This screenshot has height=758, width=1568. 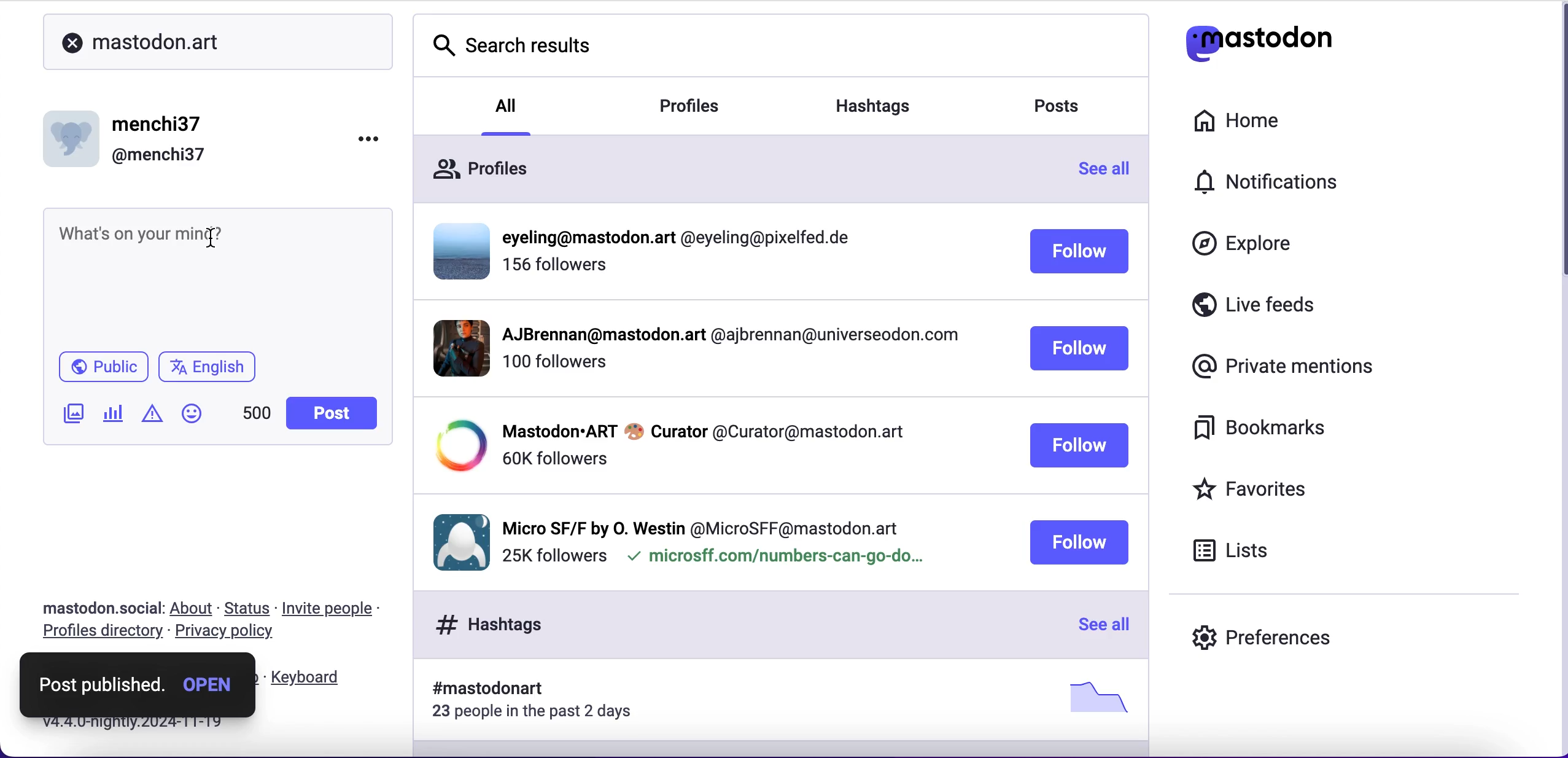 What do you see at coordinates (255, 418) in the screenshot?
I see `characters left` at bounding box center [255, 418].